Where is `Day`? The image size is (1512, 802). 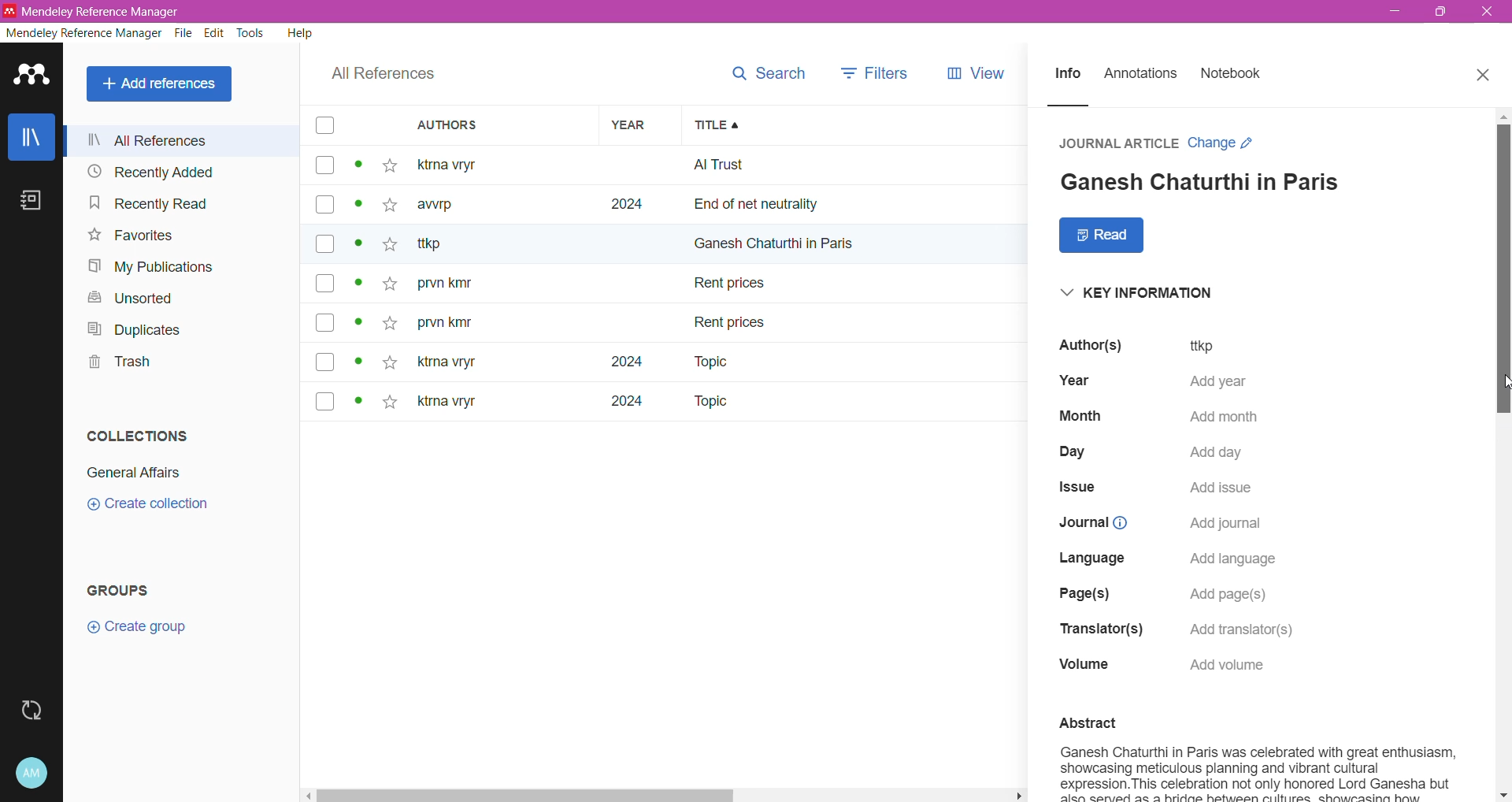 Day is located at coordinates (1060, 451).